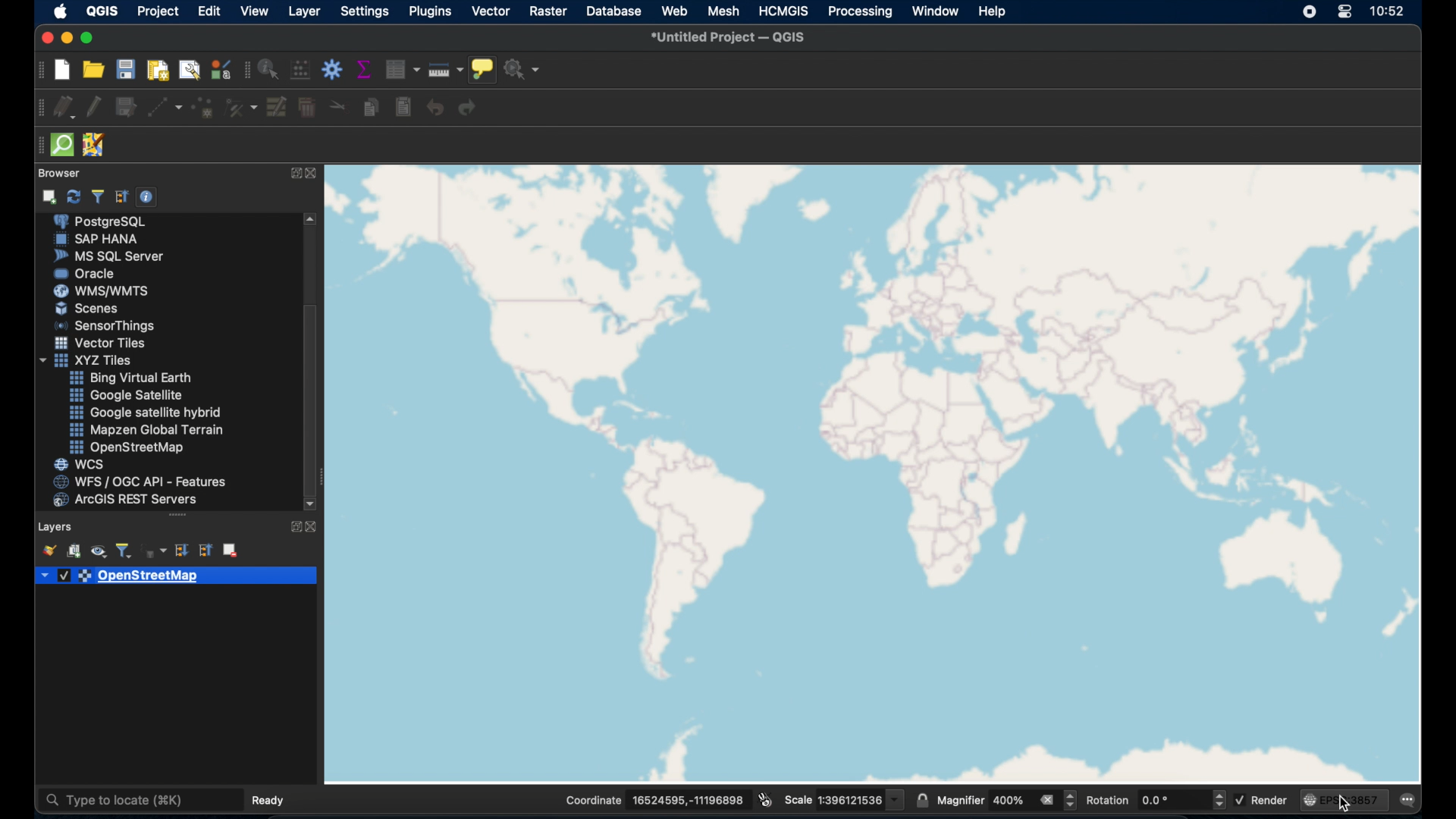 Image resolution: width=1456 pixels, height=819 pixels. What do you see at coordinates (1345, 14) in the screenshot?
I see `control center` at bounding box center [1345, 14].